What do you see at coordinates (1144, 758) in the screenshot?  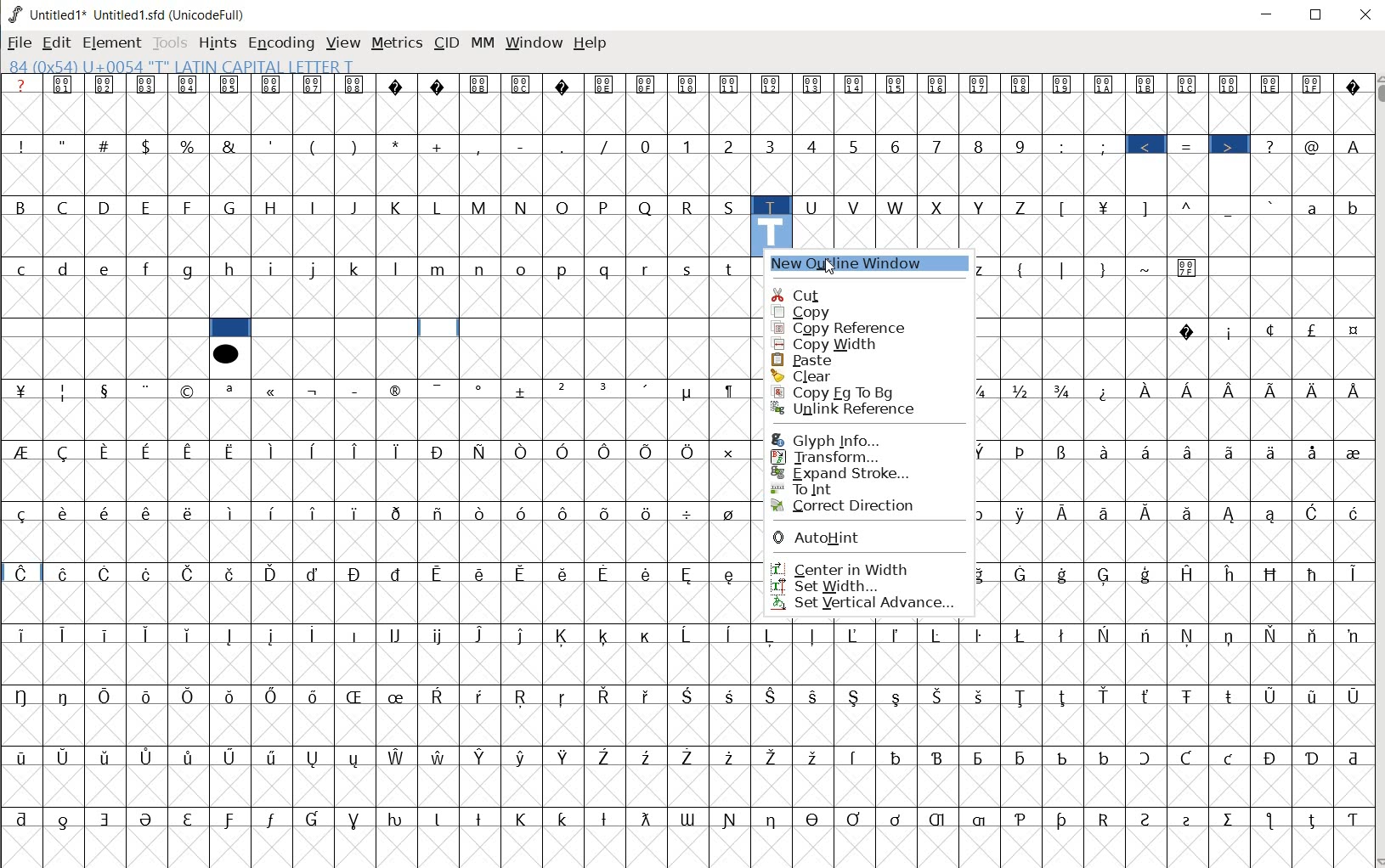 I see `Symbol` at bounding box center [1144, 758].